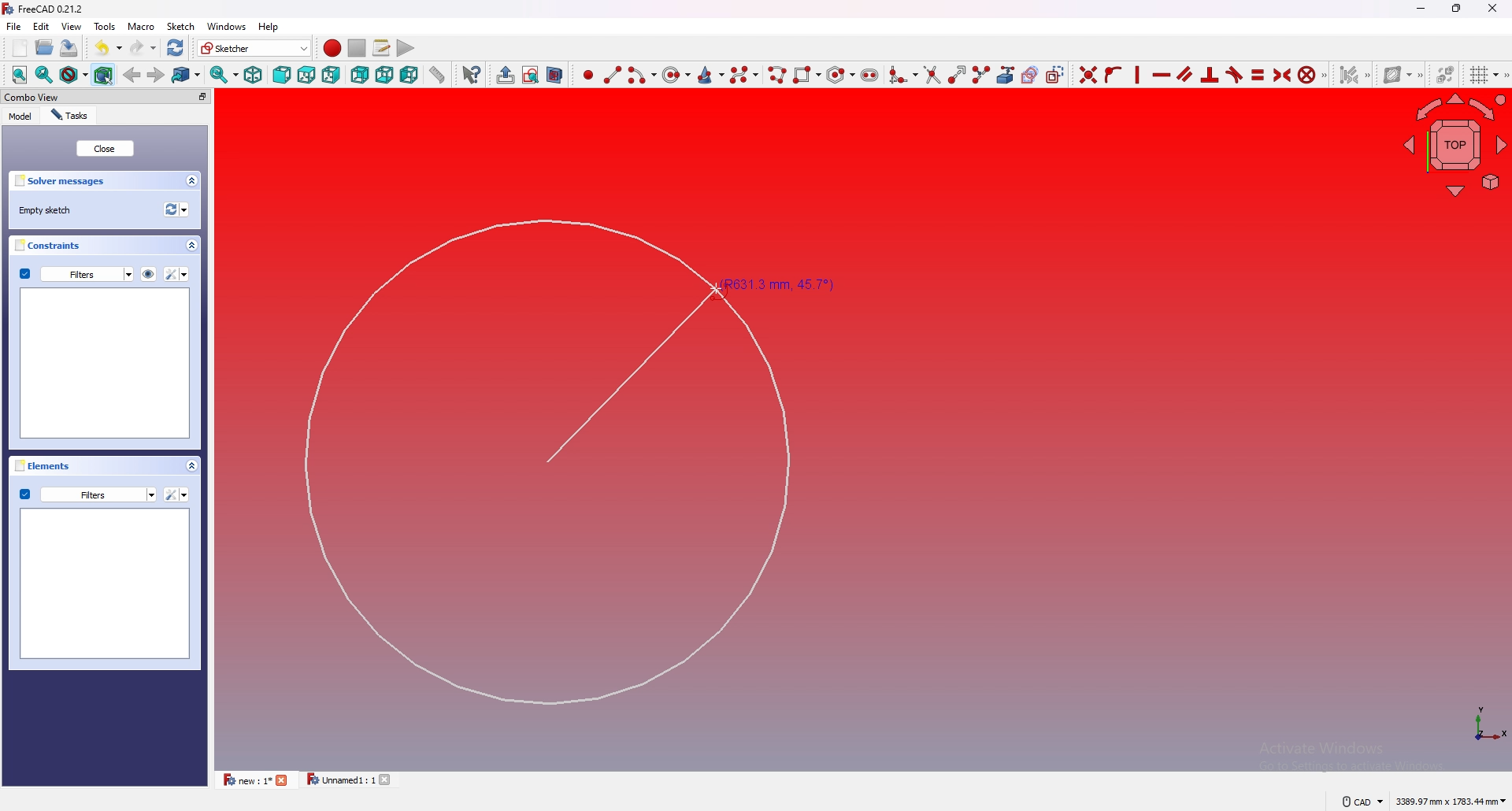  What do you see at coordinates (1031, 74) in the screenshot?
I see `create carbon copy` at bounding box center [1031, 74].